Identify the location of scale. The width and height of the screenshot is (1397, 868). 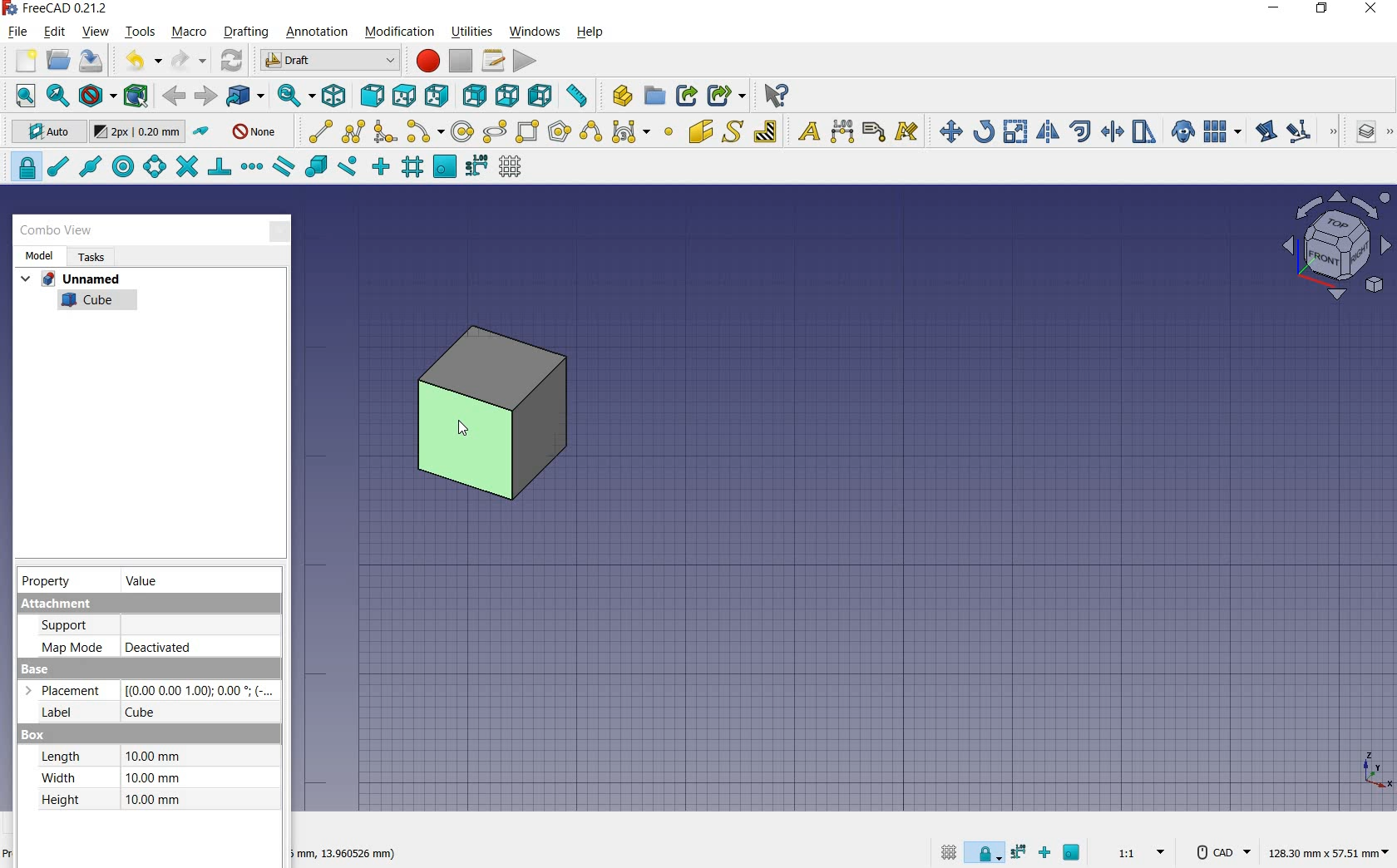
(1016, 131).